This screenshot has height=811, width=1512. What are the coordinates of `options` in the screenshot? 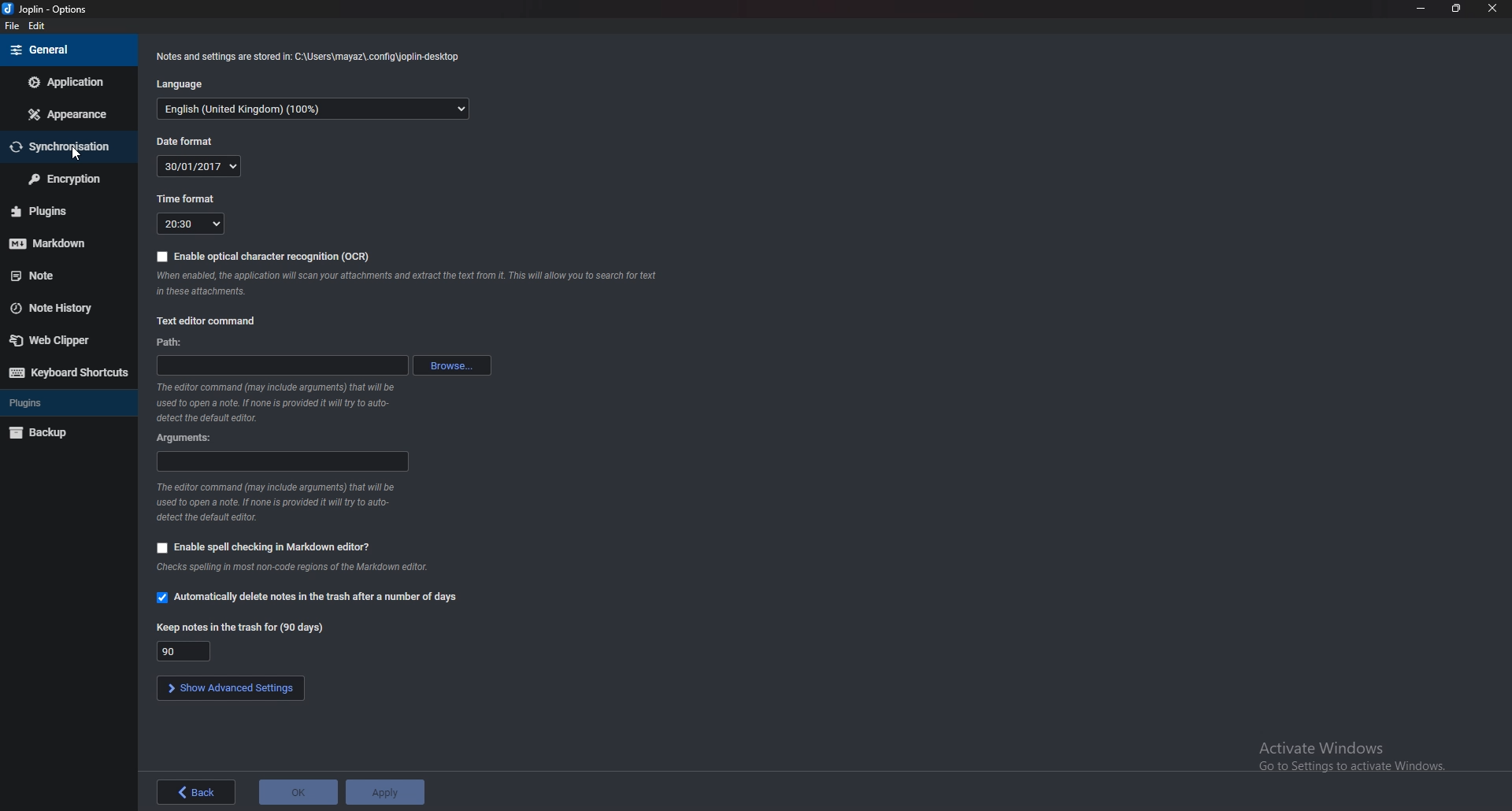 It's located at (48, 9).